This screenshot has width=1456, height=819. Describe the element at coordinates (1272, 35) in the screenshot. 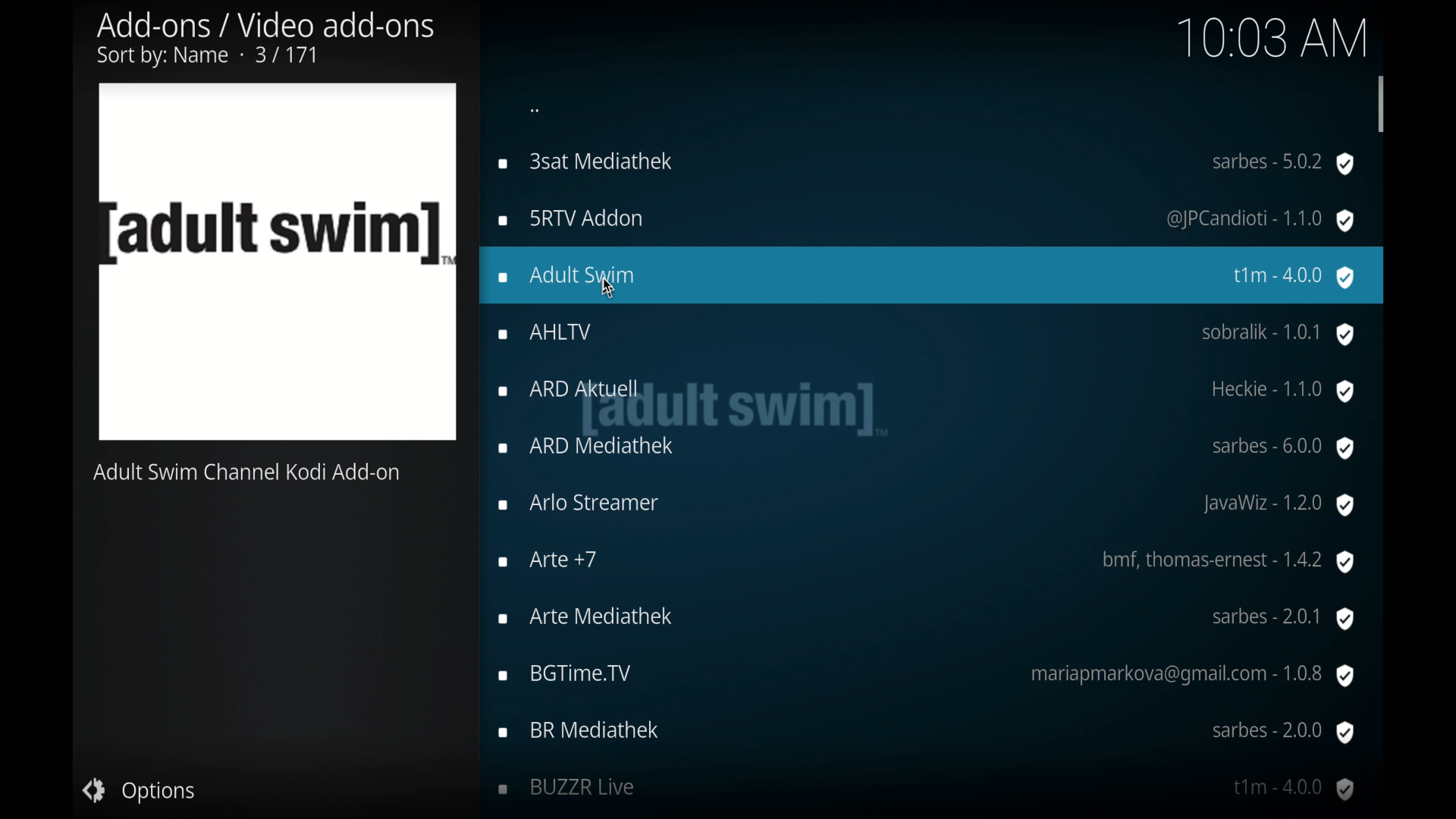

I see `time` at that location.